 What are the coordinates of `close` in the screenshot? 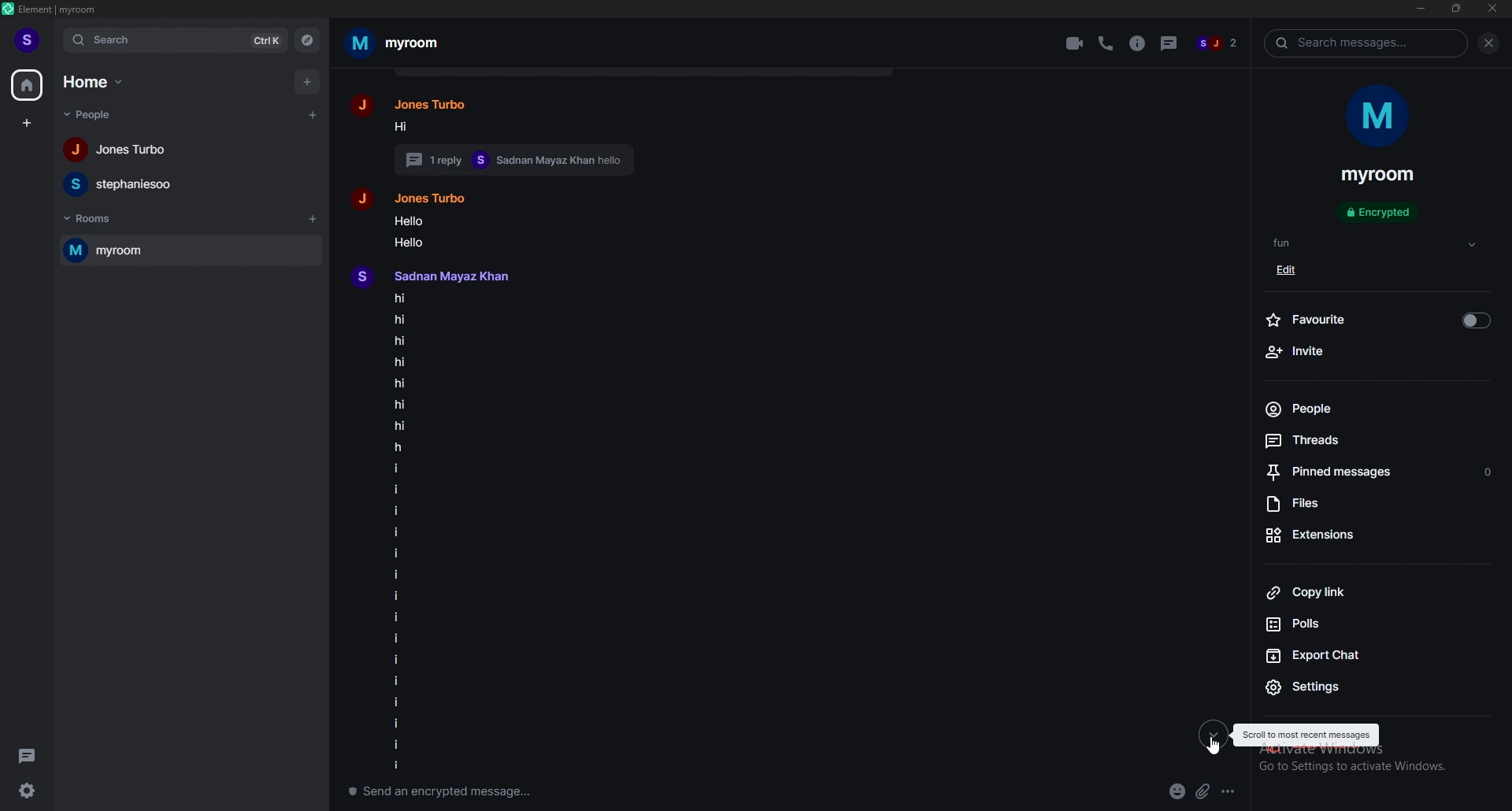 It's located at (1491, 44).